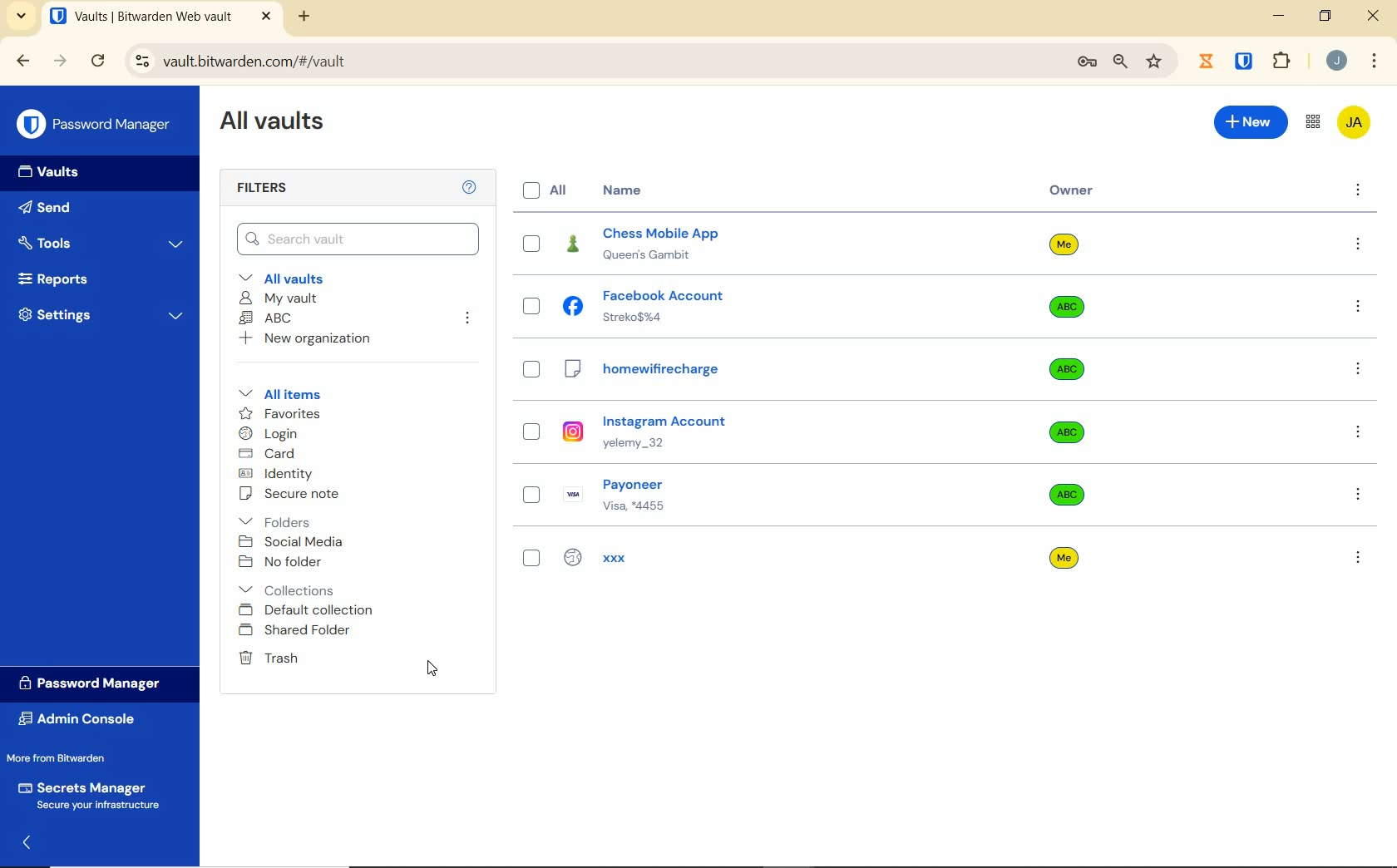  I want to click on login, so click(278, 434).